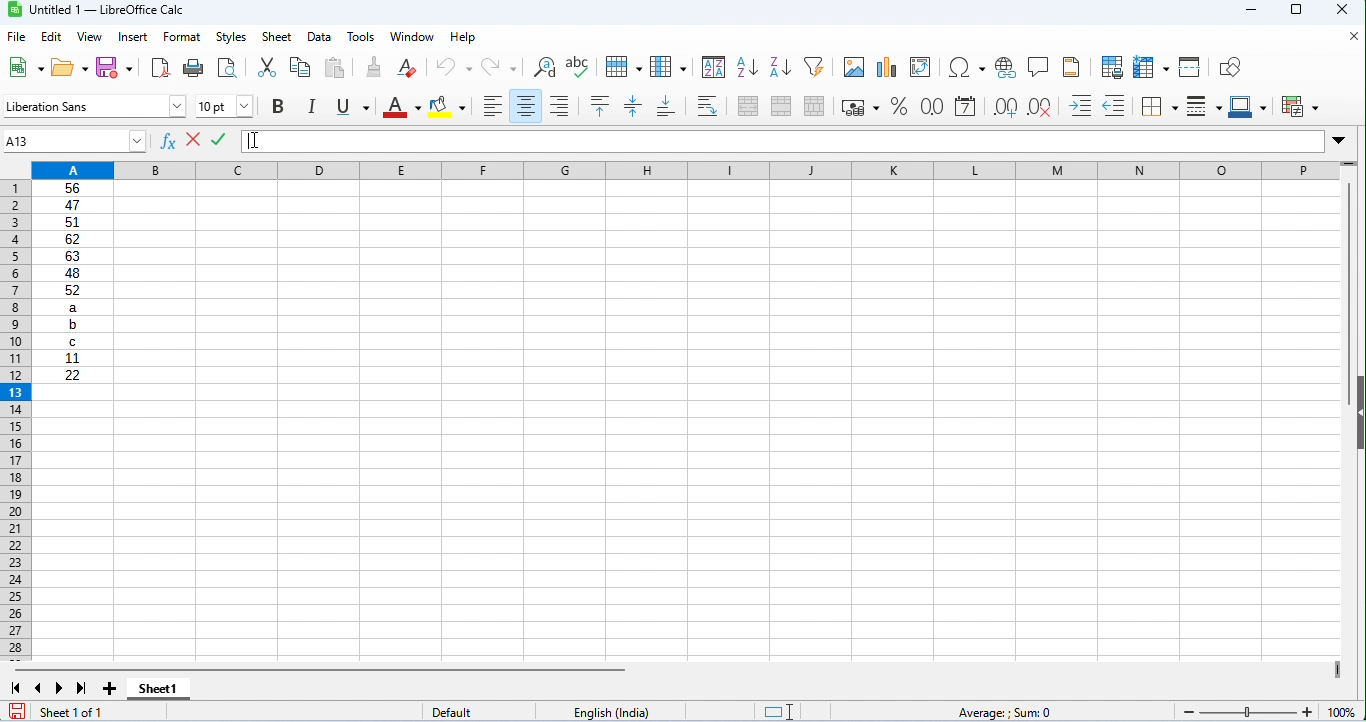  Describe the element at coordinates (666, 106) in the screenshot. I see `align bottom` at that location.